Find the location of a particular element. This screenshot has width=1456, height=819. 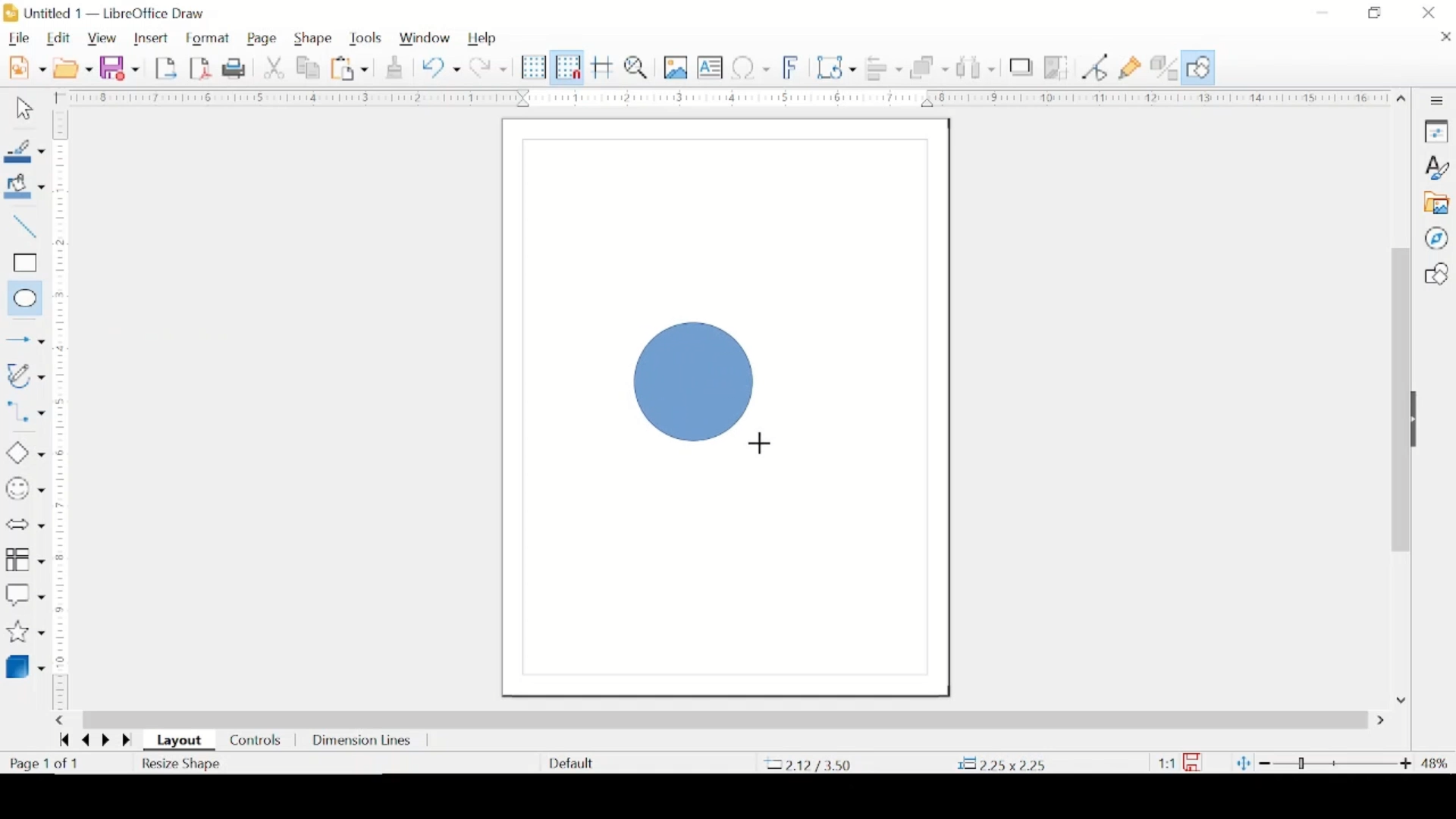

export directly as pdf is located at coordinates (201, 68).